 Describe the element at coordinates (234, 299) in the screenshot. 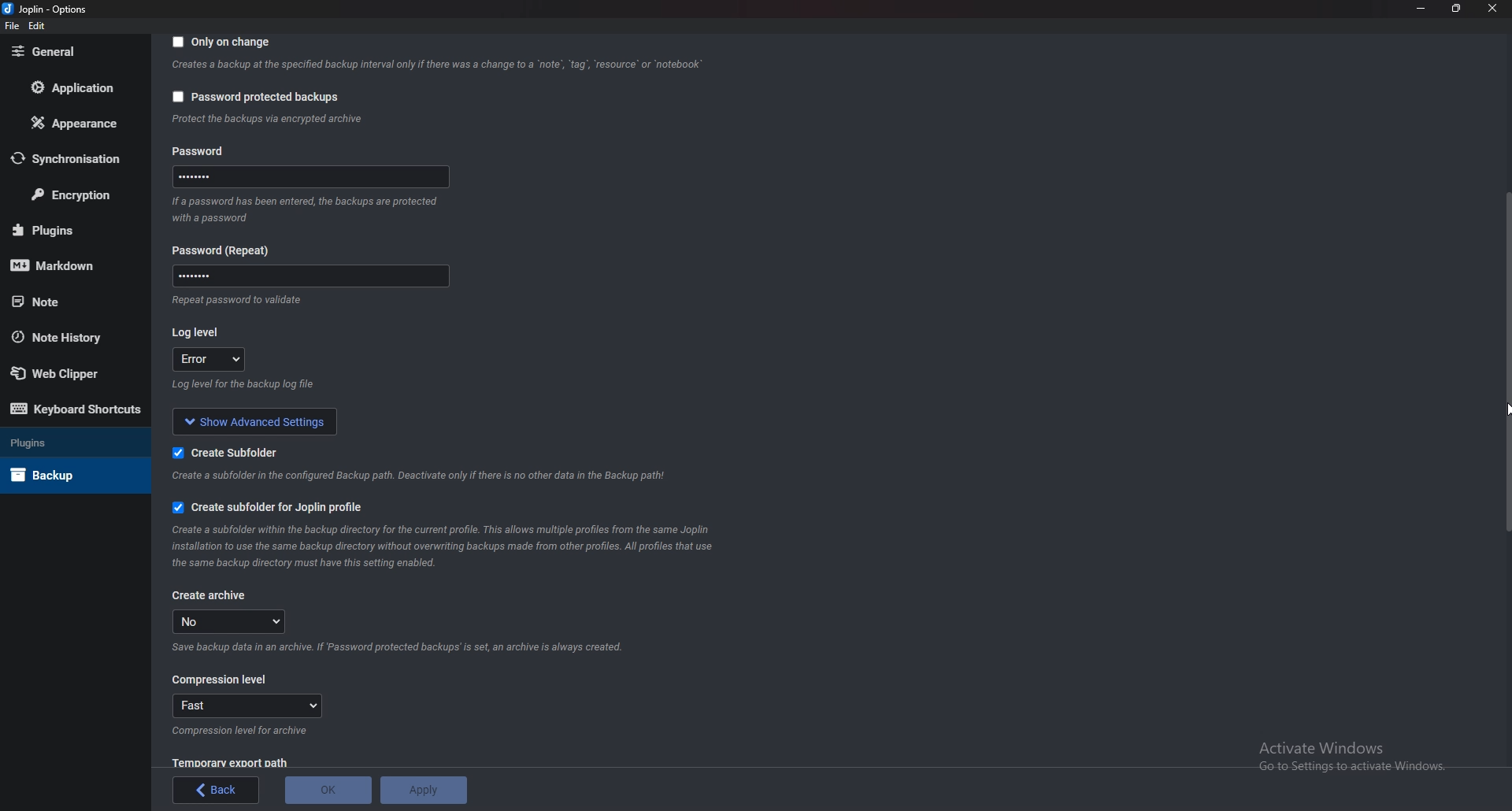

I see `Info` at that location.